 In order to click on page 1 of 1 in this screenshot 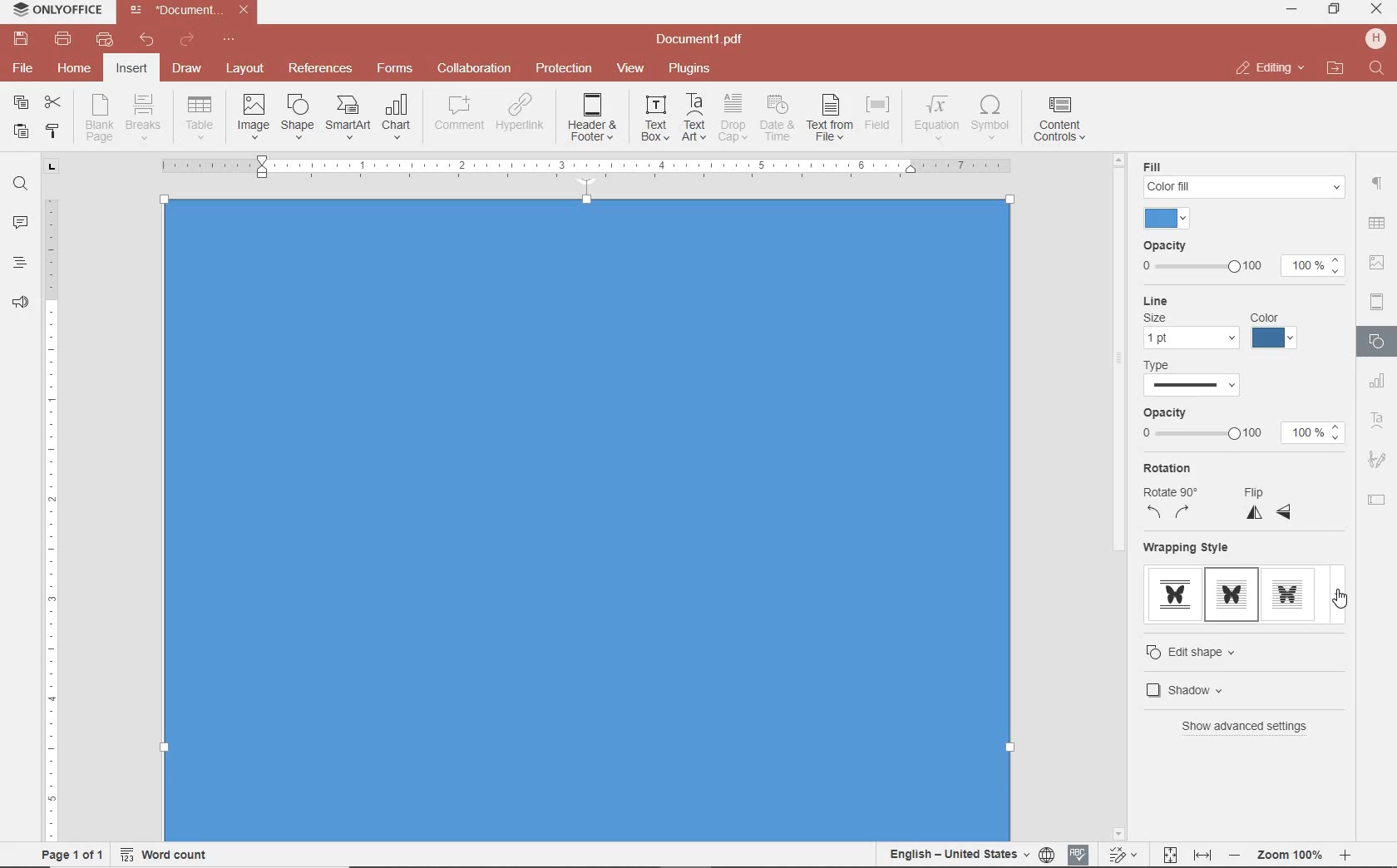, I will do `click(69, 853)`.